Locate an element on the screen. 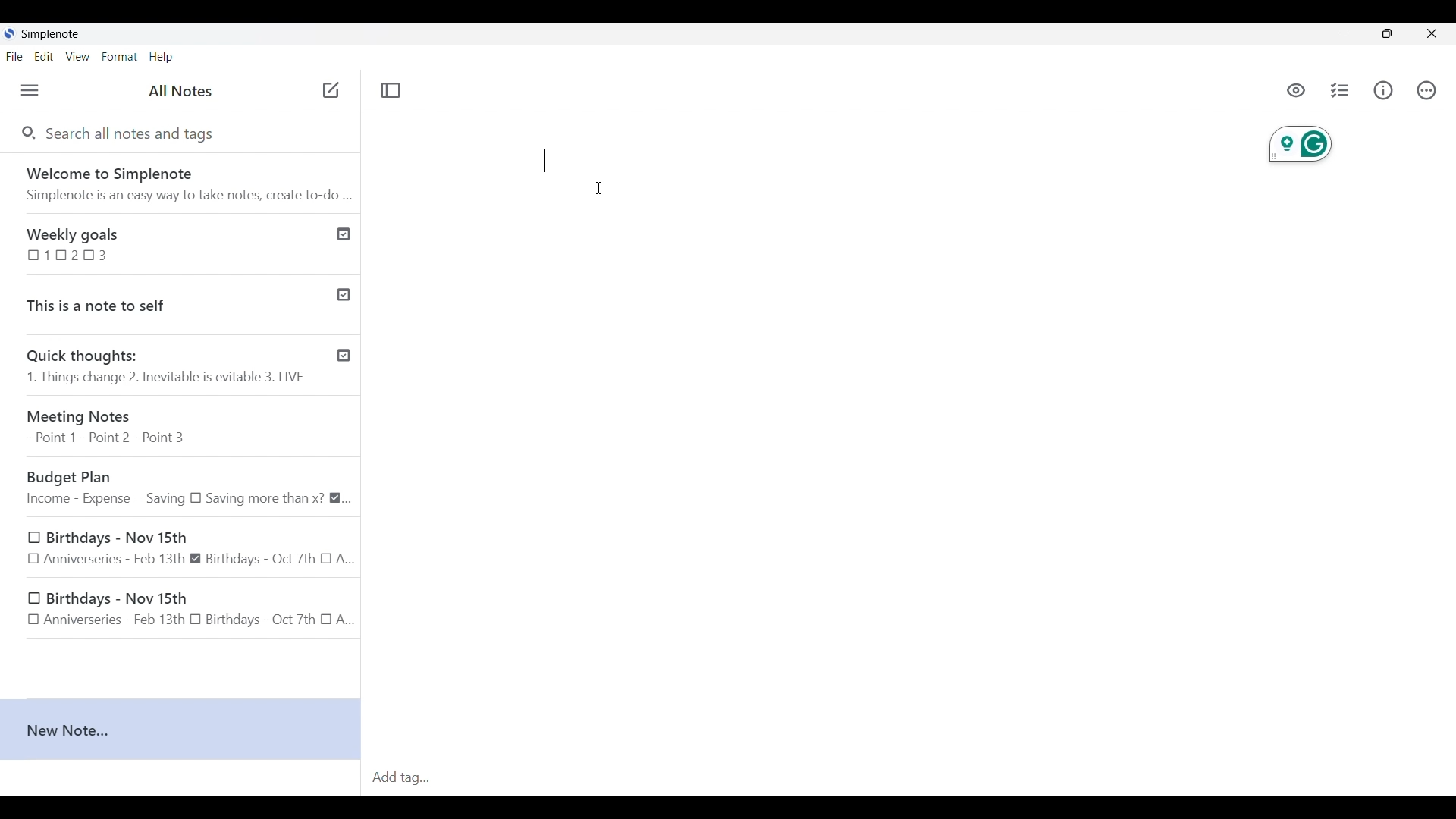 This screenshot has width=1456, height=819. Menu is located at coordinates (30, 90).